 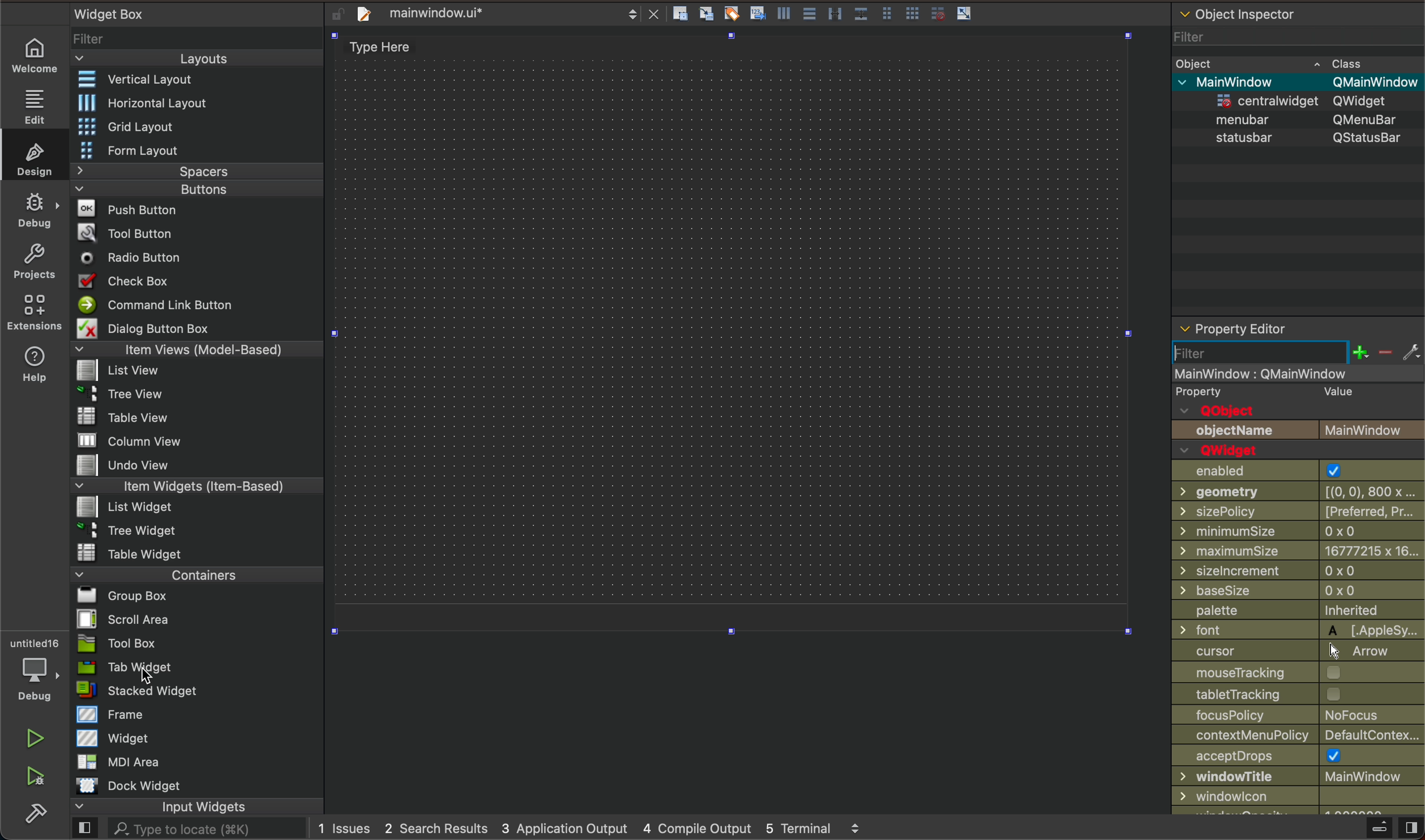 What do you see at coordinates (125, 258) in the screenshot?
I see ` Radio Button` at bounding box center [125, 258].